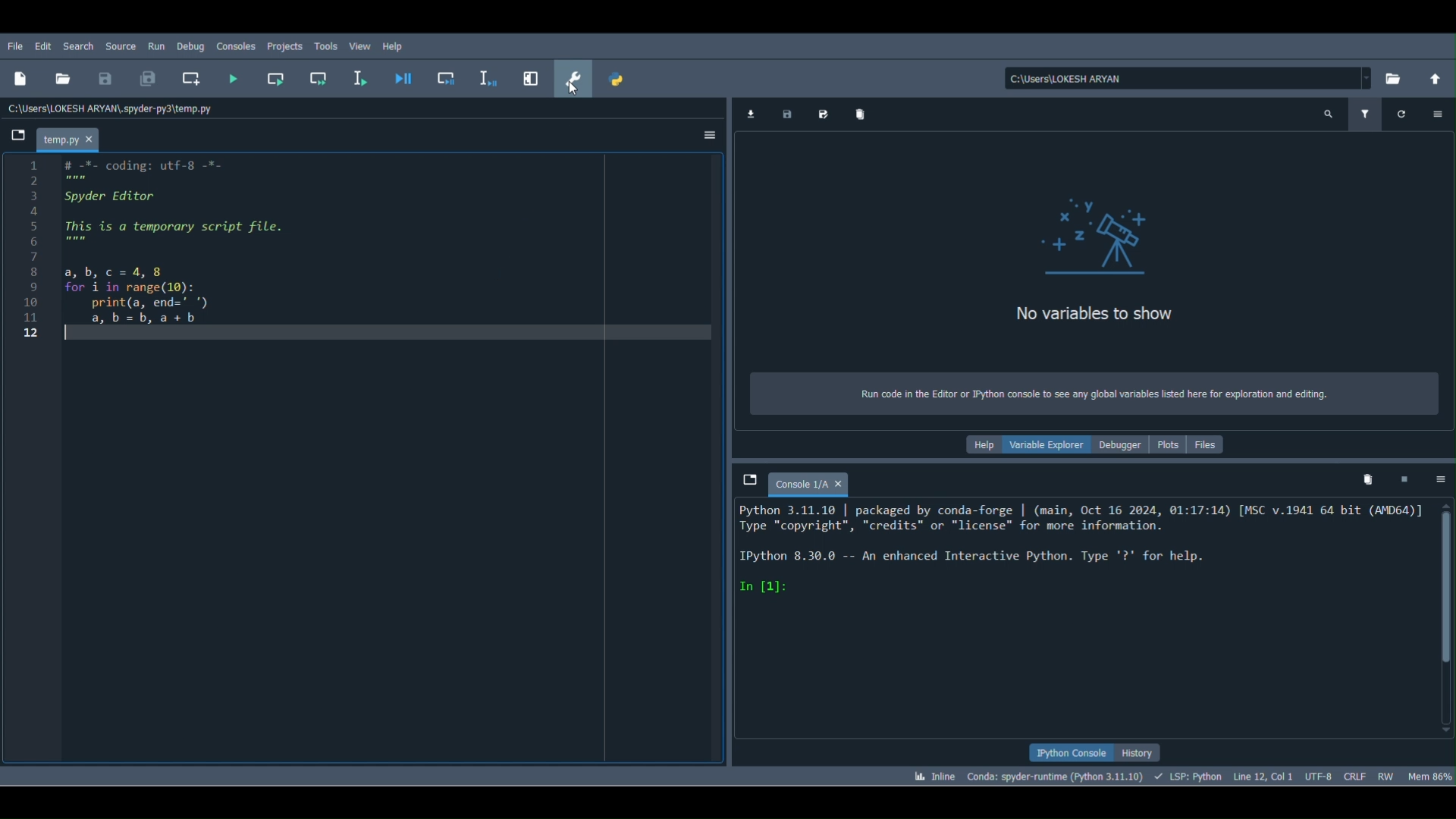  I want to click on Click to toggle between inline and interactive Matplotlib plotting, so click(933, 774).